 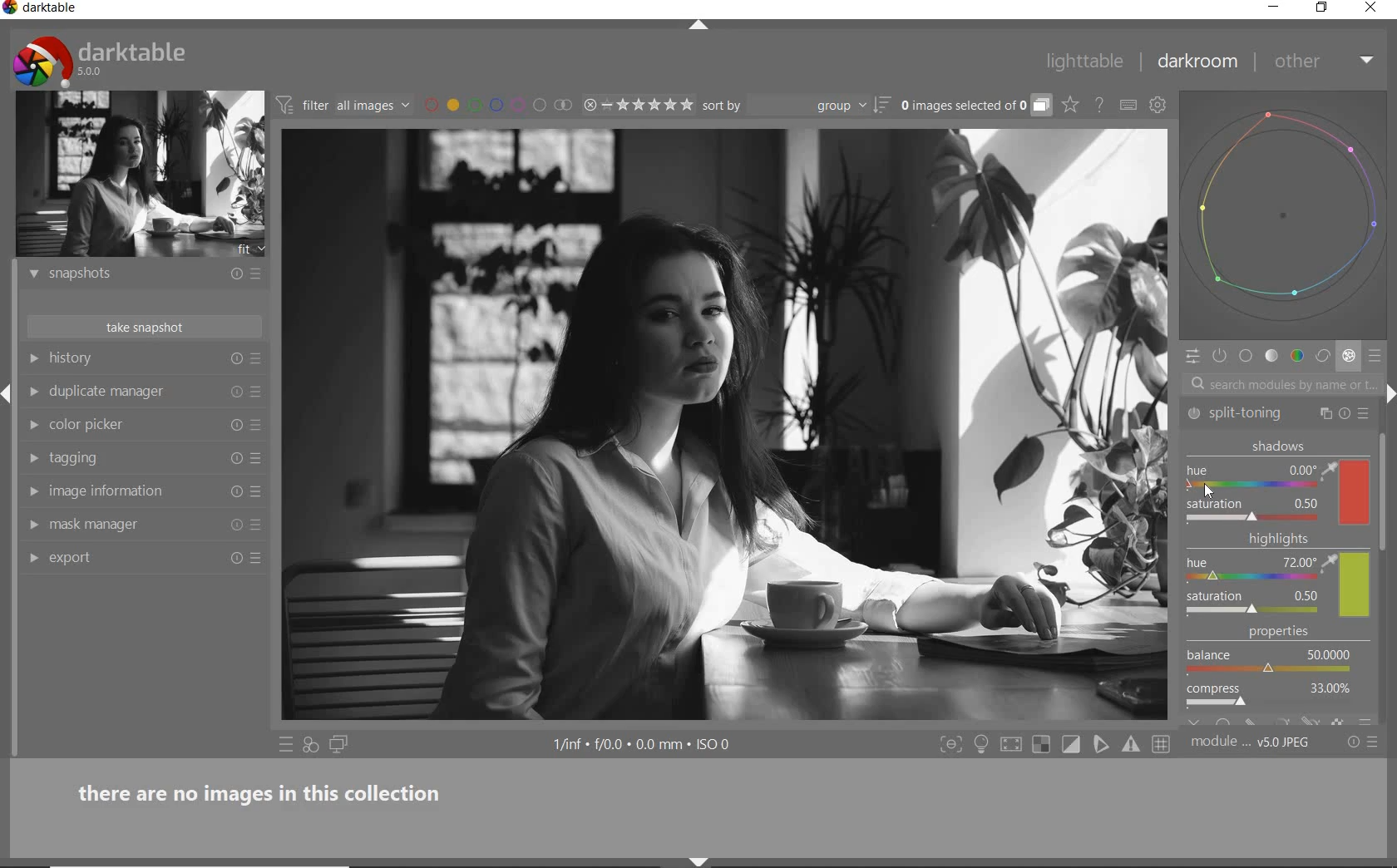 I want to click on toggle softproofing, so click(x=1103, y=747).